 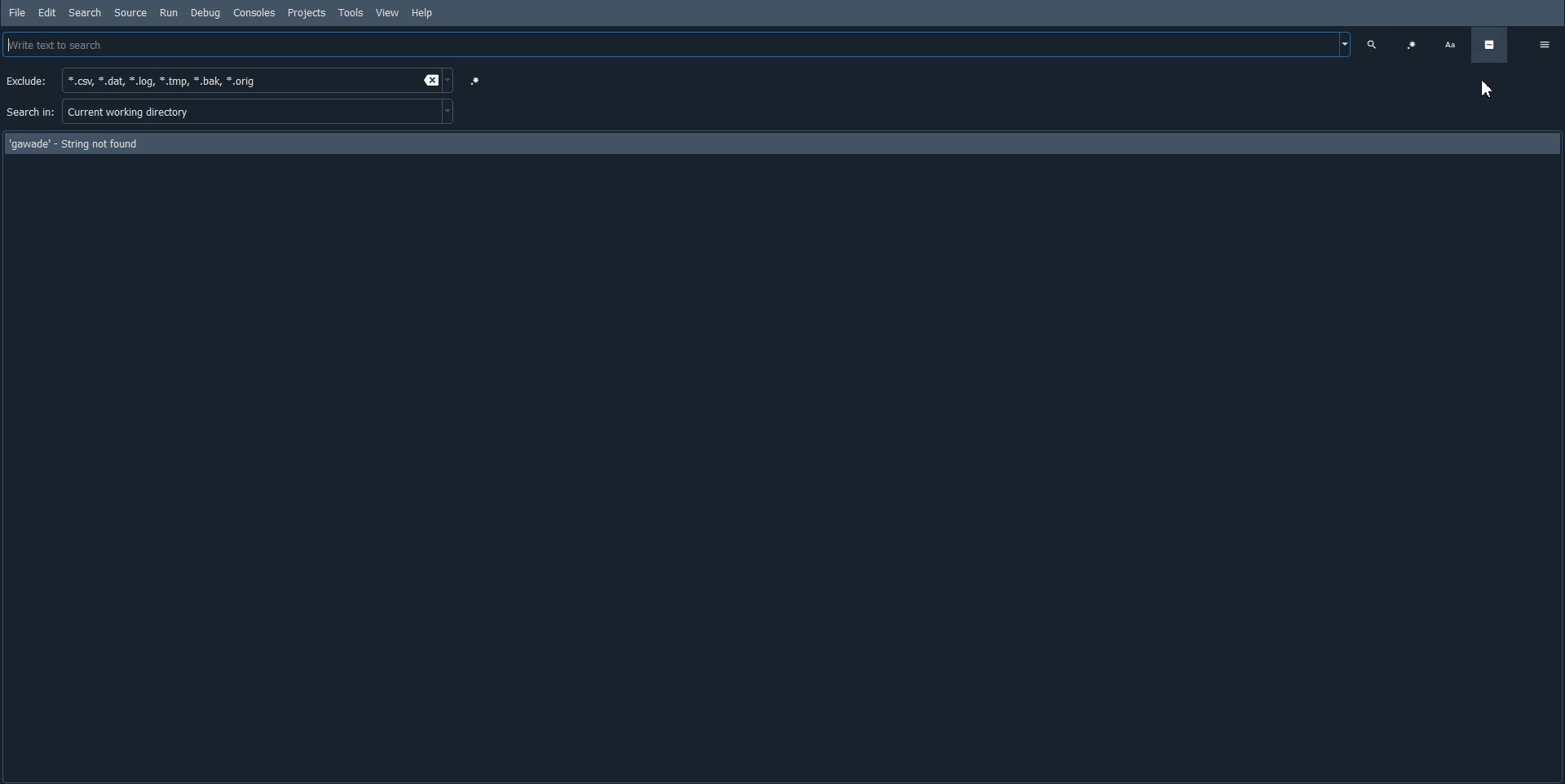 I want to click on Help, so click(x=423, y=14).